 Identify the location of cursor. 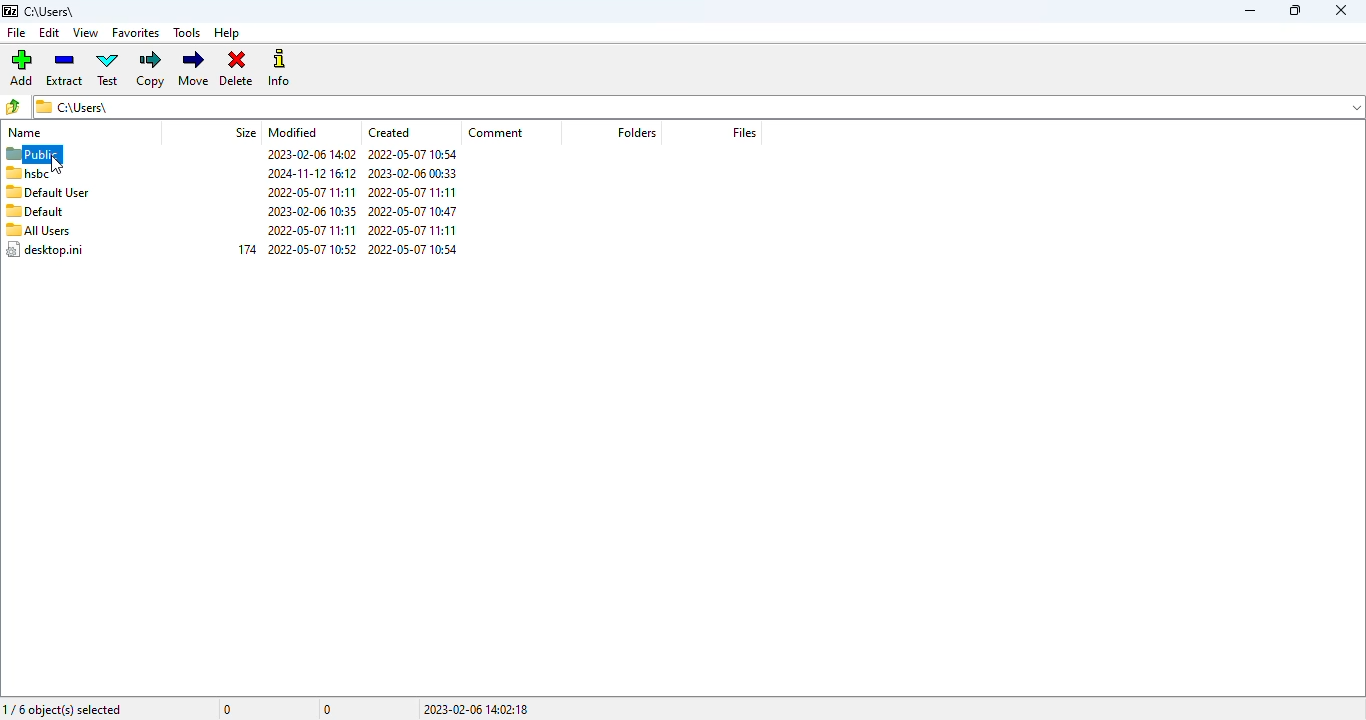
(58, 165).